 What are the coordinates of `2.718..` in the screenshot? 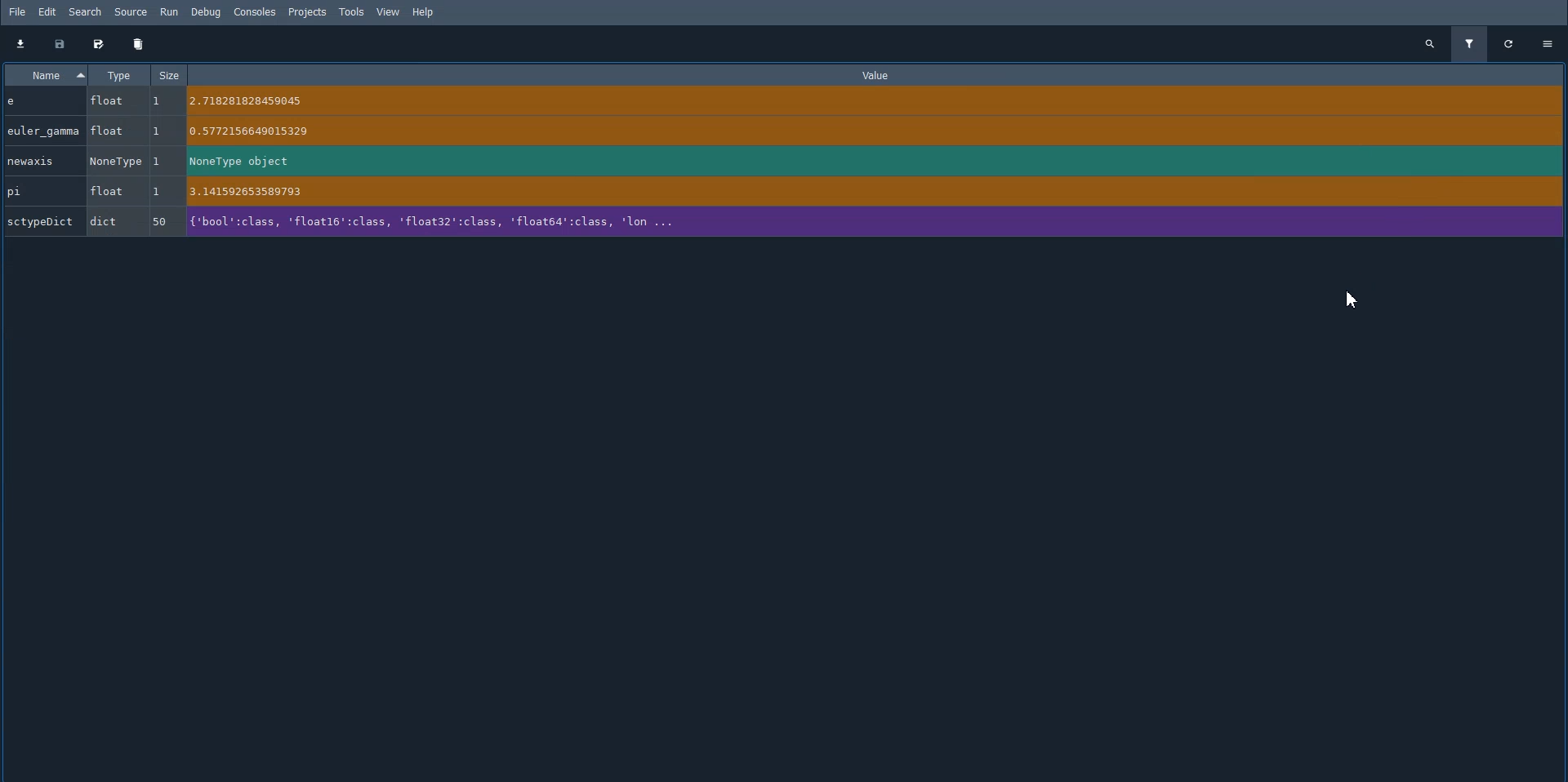 It's located at (861, 101).